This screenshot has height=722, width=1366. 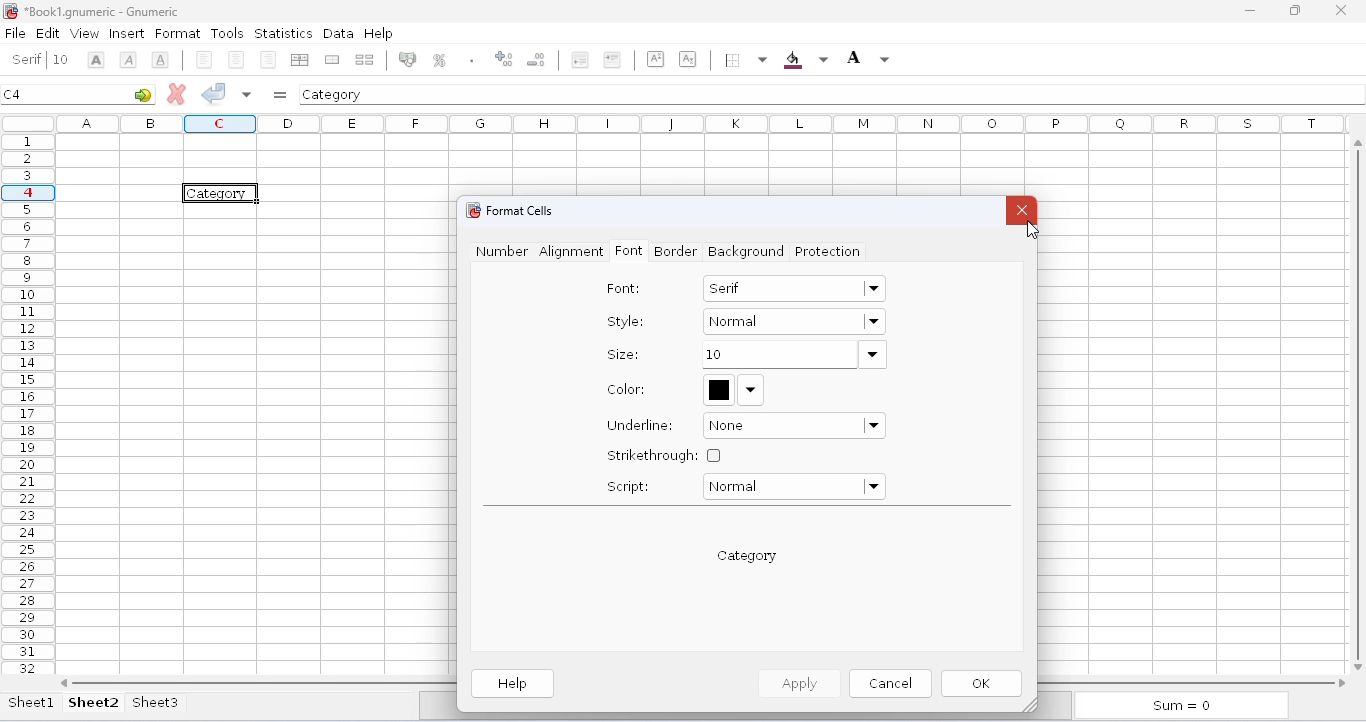 I want to click on size:, so click(x=622, y=354).